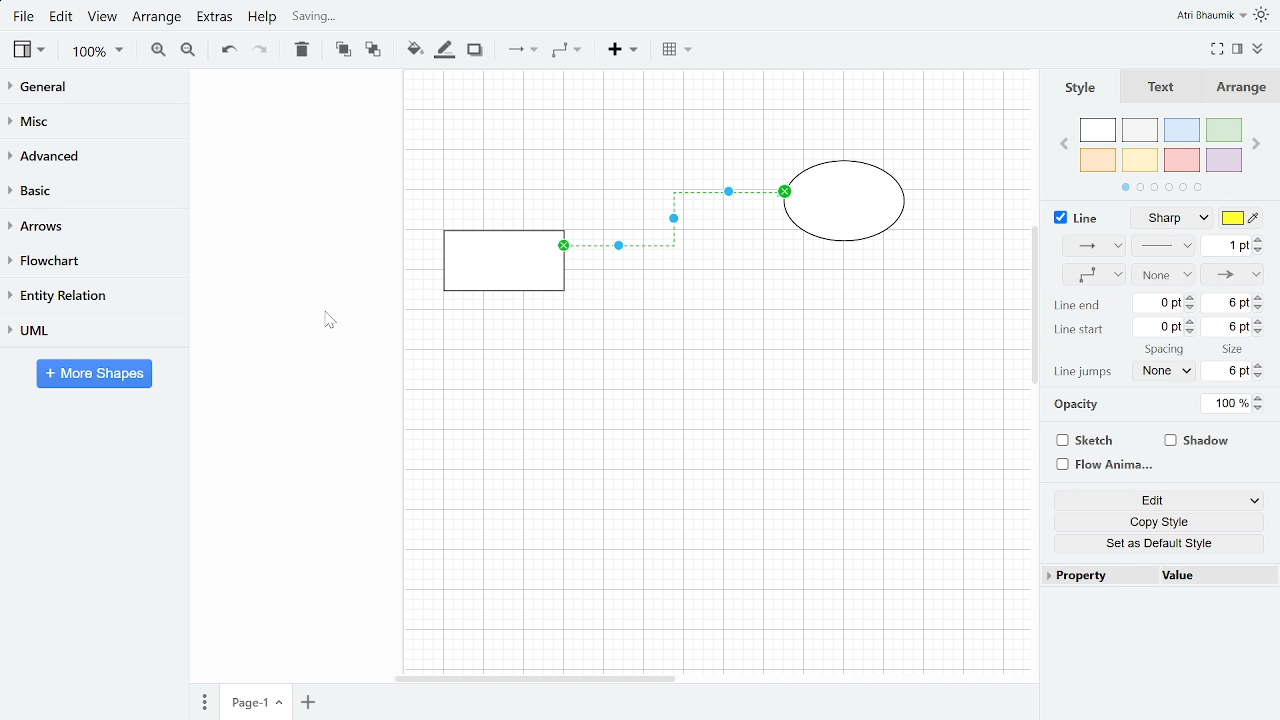  Describe the element at coordinates (1225, 404) in the screenshot. I see `Current opacity` at that location.